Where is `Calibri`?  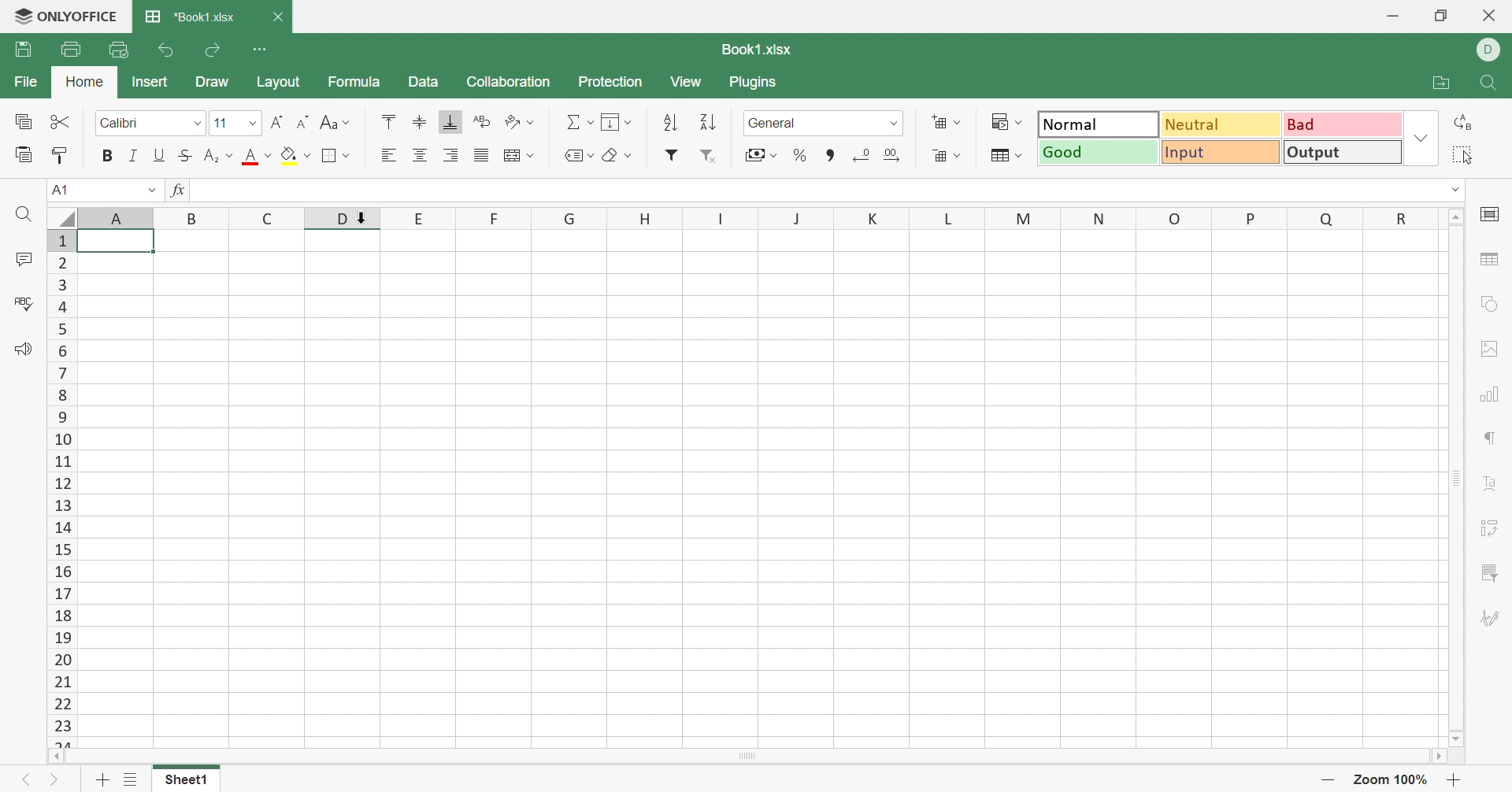
Calibri is located at coordinates (126, 121).